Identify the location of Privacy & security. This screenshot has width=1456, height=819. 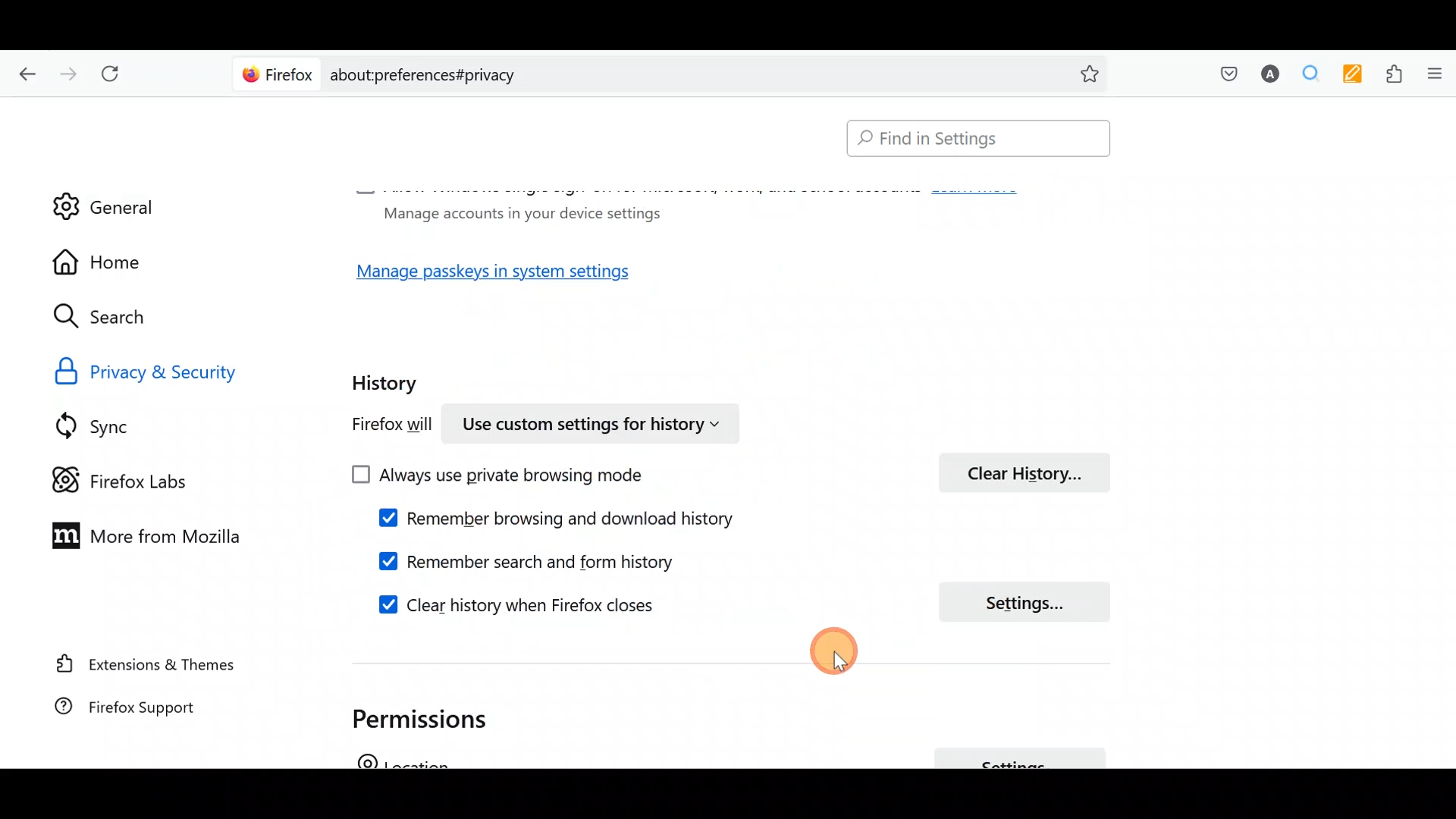
(184, 370).